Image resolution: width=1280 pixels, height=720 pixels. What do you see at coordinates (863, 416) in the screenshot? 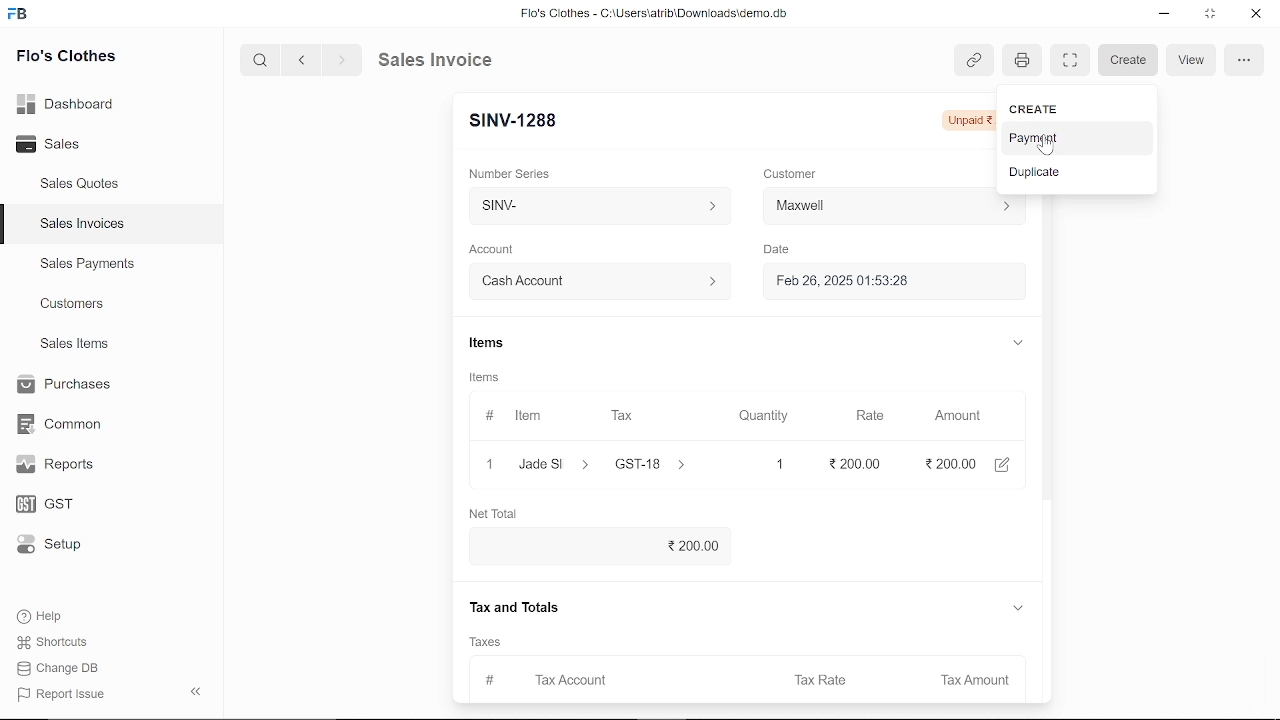
I see `Rate` at bounding box center [863, 416].